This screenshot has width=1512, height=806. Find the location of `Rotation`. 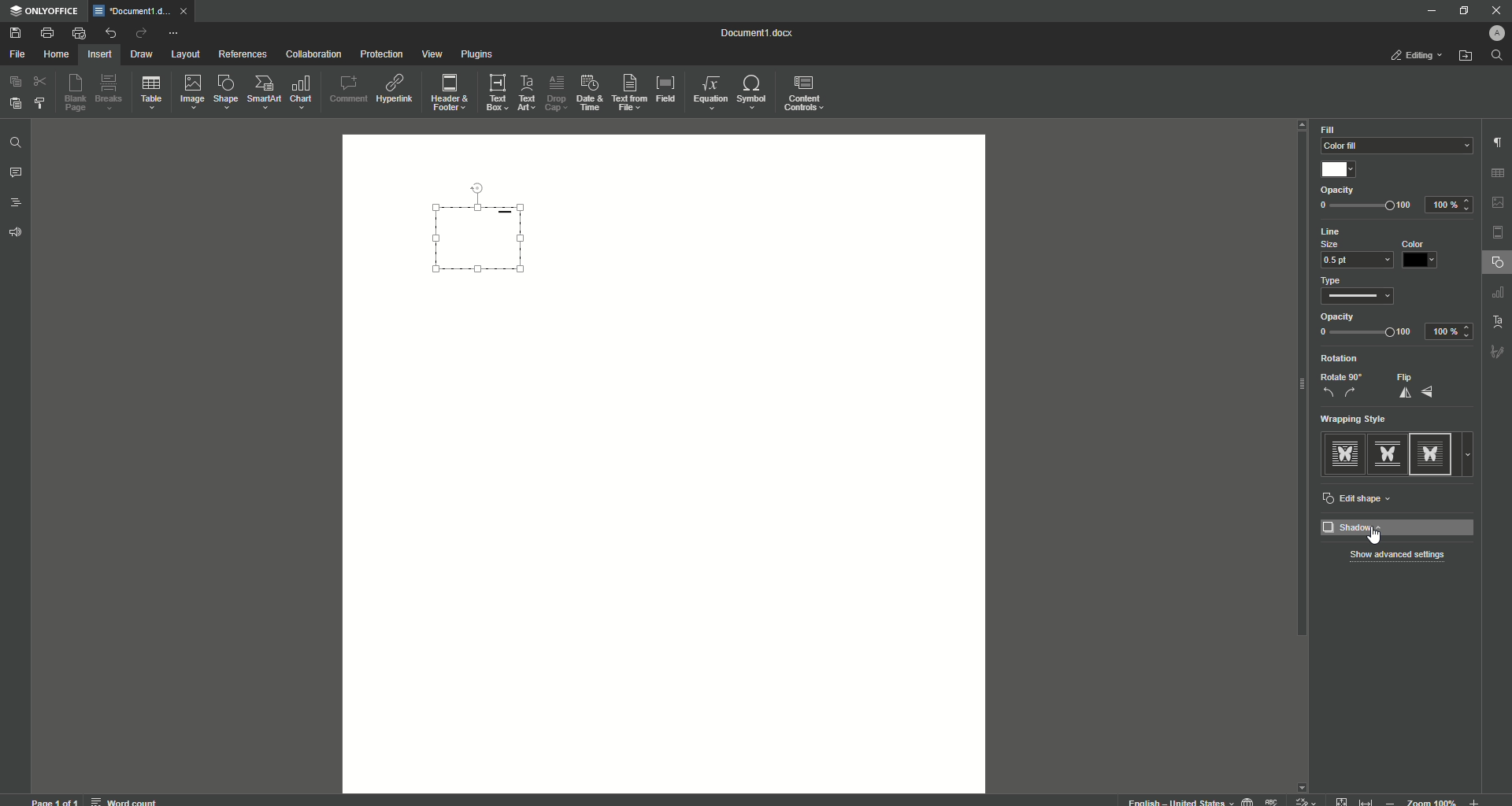

Rotation is located at coordinates (1342, 359).